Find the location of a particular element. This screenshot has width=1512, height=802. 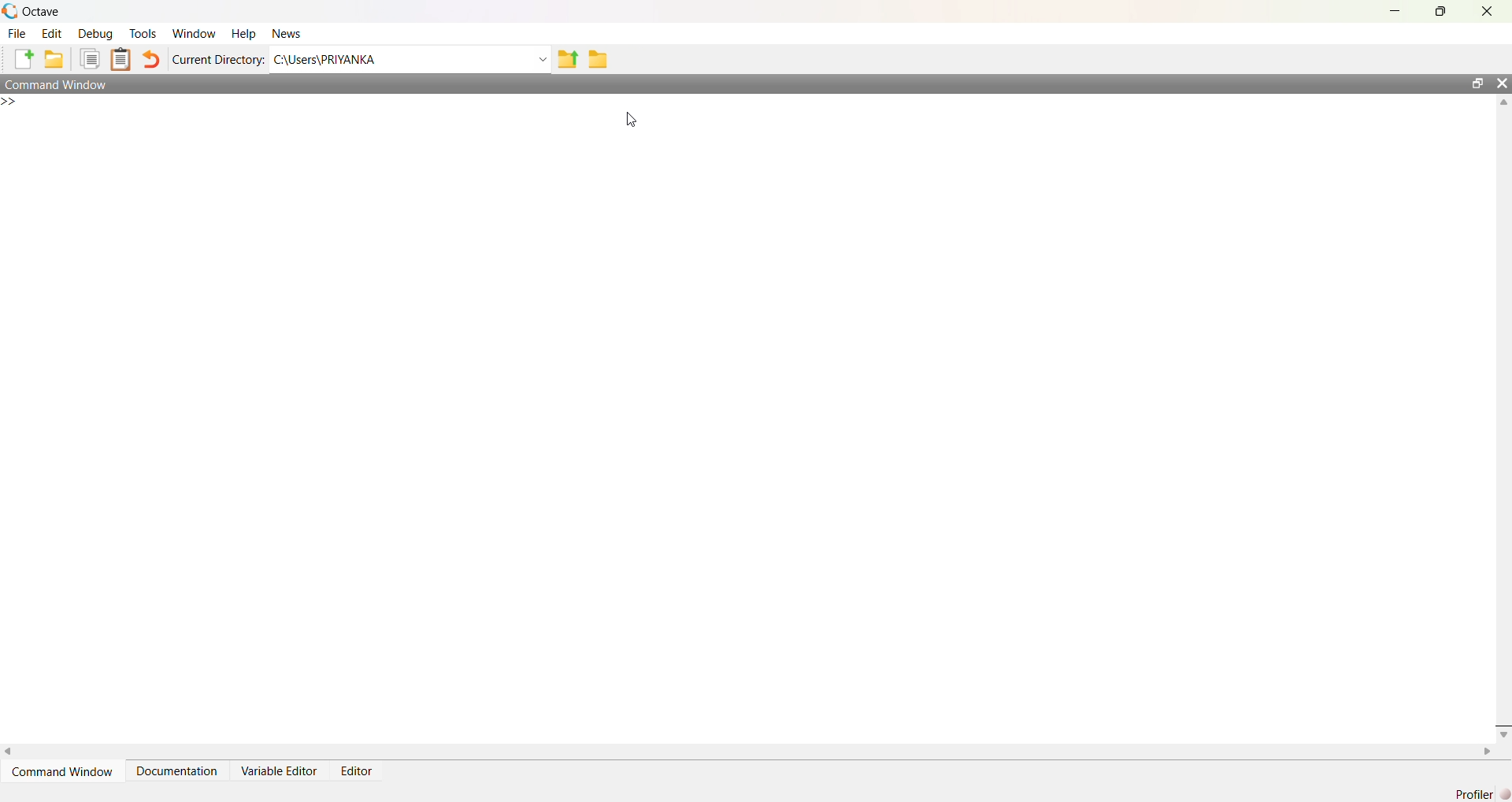

Minimize is located at coordinates (1397, 9).